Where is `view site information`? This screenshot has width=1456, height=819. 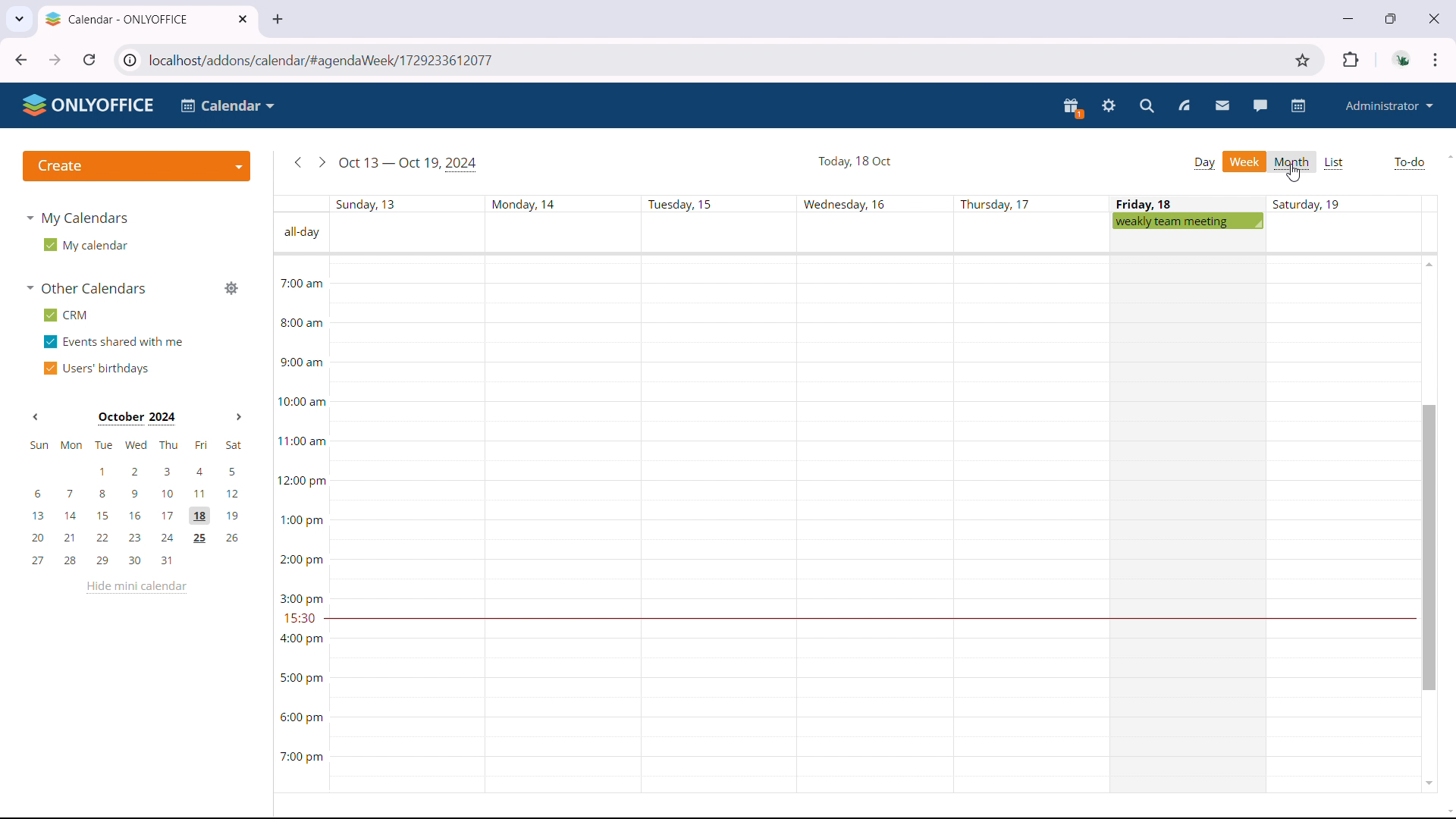 view site information is located at coordinates (129, 61).